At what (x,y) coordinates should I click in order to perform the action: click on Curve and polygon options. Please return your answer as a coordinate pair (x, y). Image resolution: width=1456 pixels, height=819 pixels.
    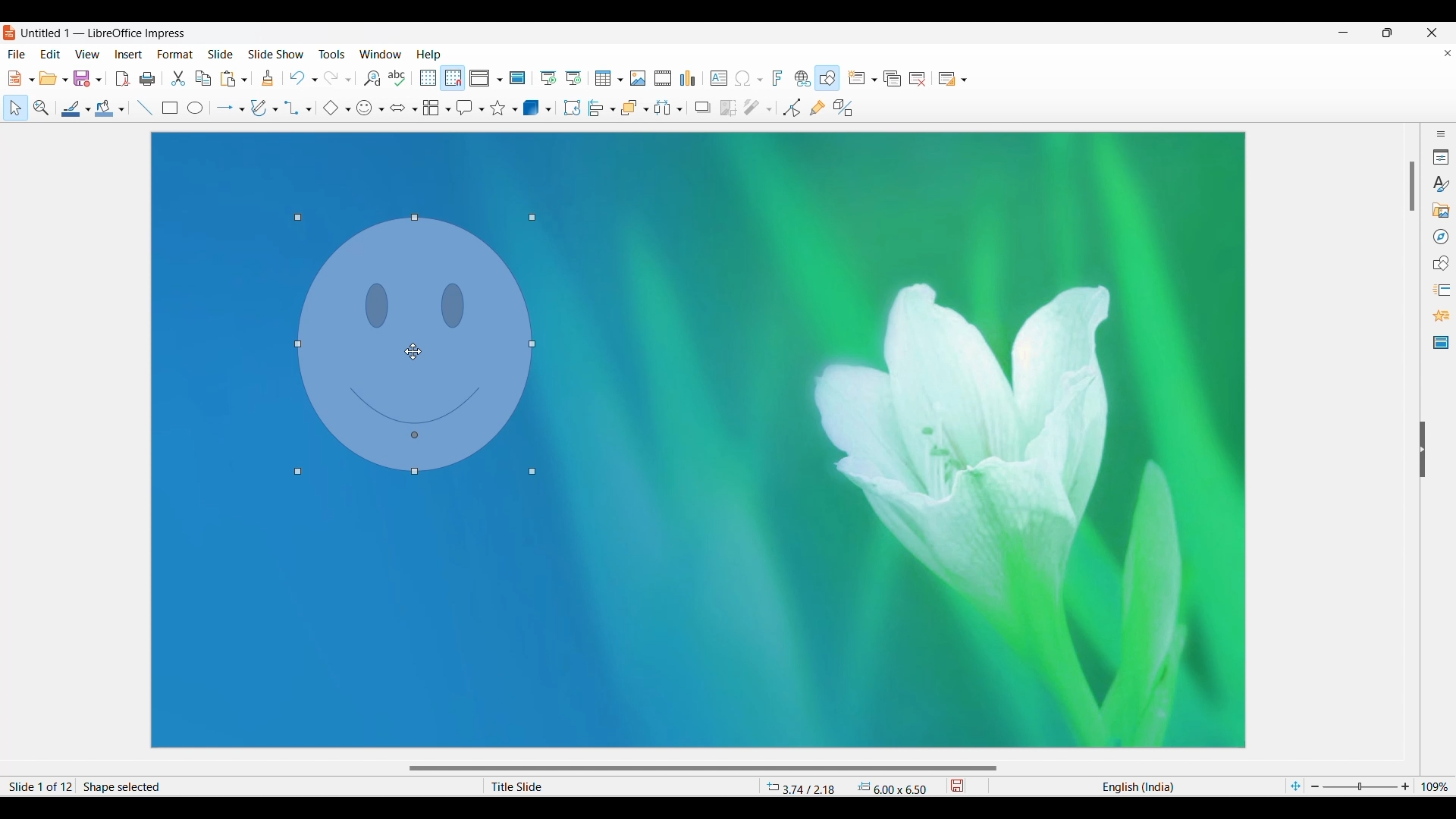
    Looking at the image, I should click on (275, 109).